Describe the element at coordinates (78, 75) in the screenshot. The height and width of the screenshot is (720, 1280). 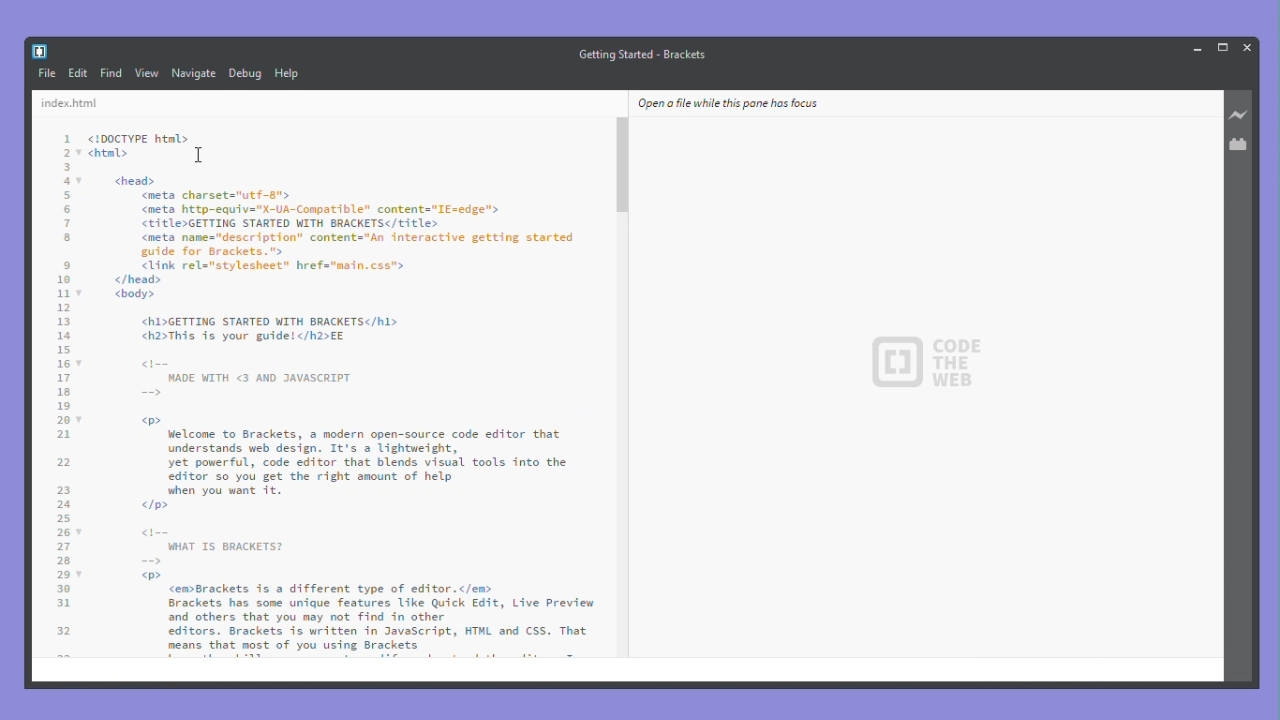
I see `edit` at that location.